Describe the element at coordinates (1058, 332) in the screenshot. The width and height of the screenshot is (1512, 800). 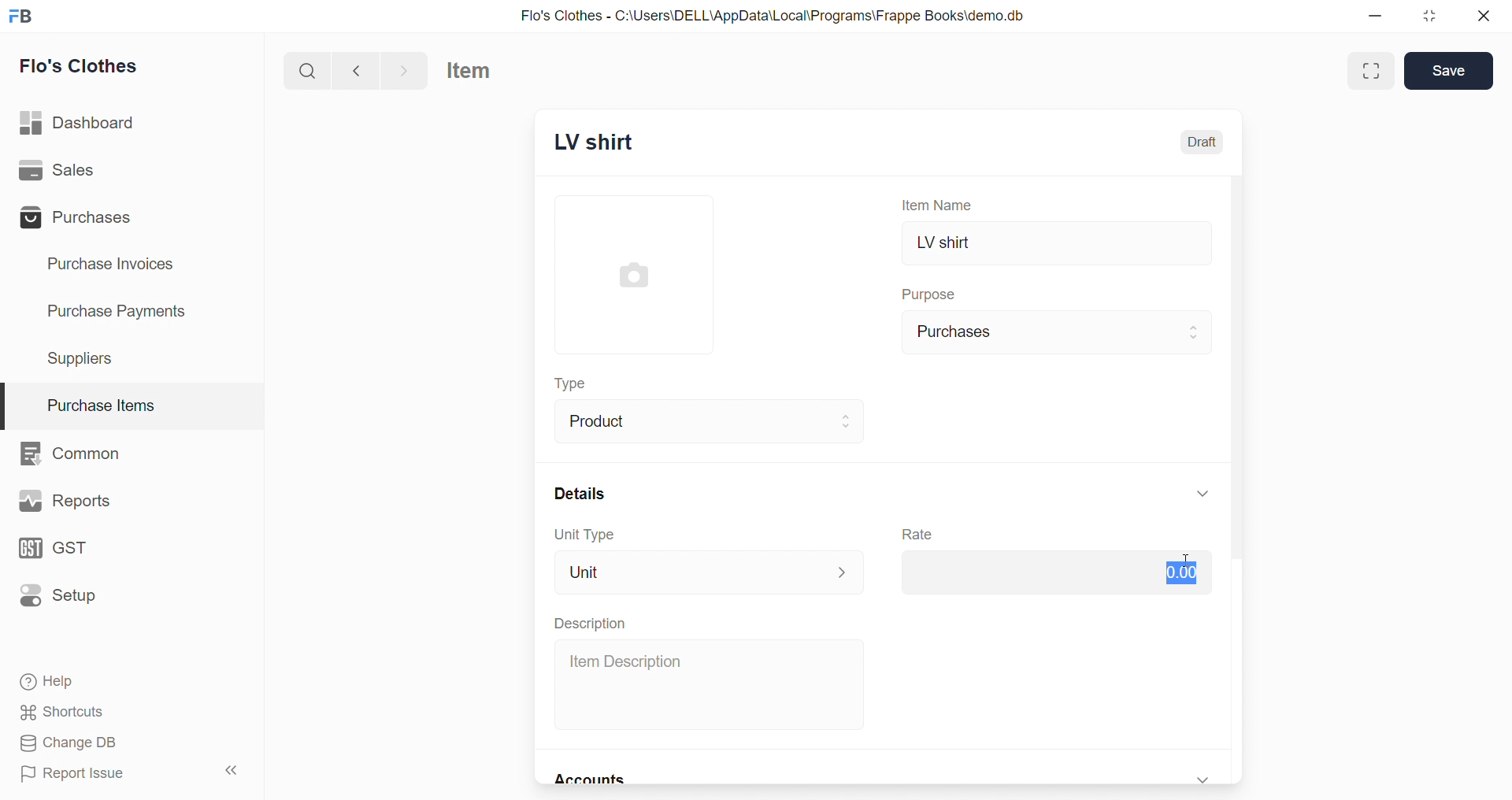
I see `Purchases` at that location.